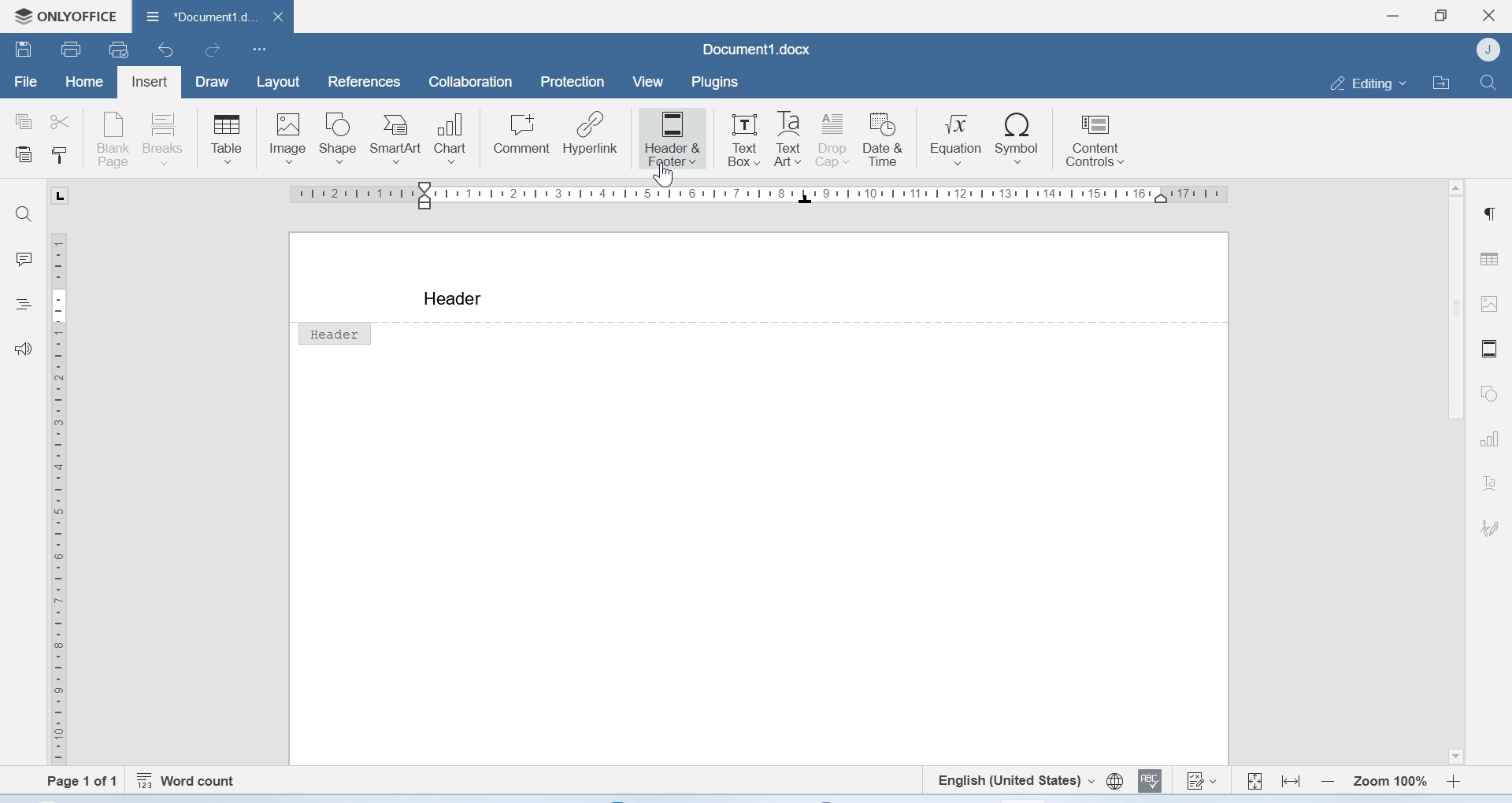 The width and height of the screenshot is (1512, 803). I want to click on Text, so click(1489, 483).